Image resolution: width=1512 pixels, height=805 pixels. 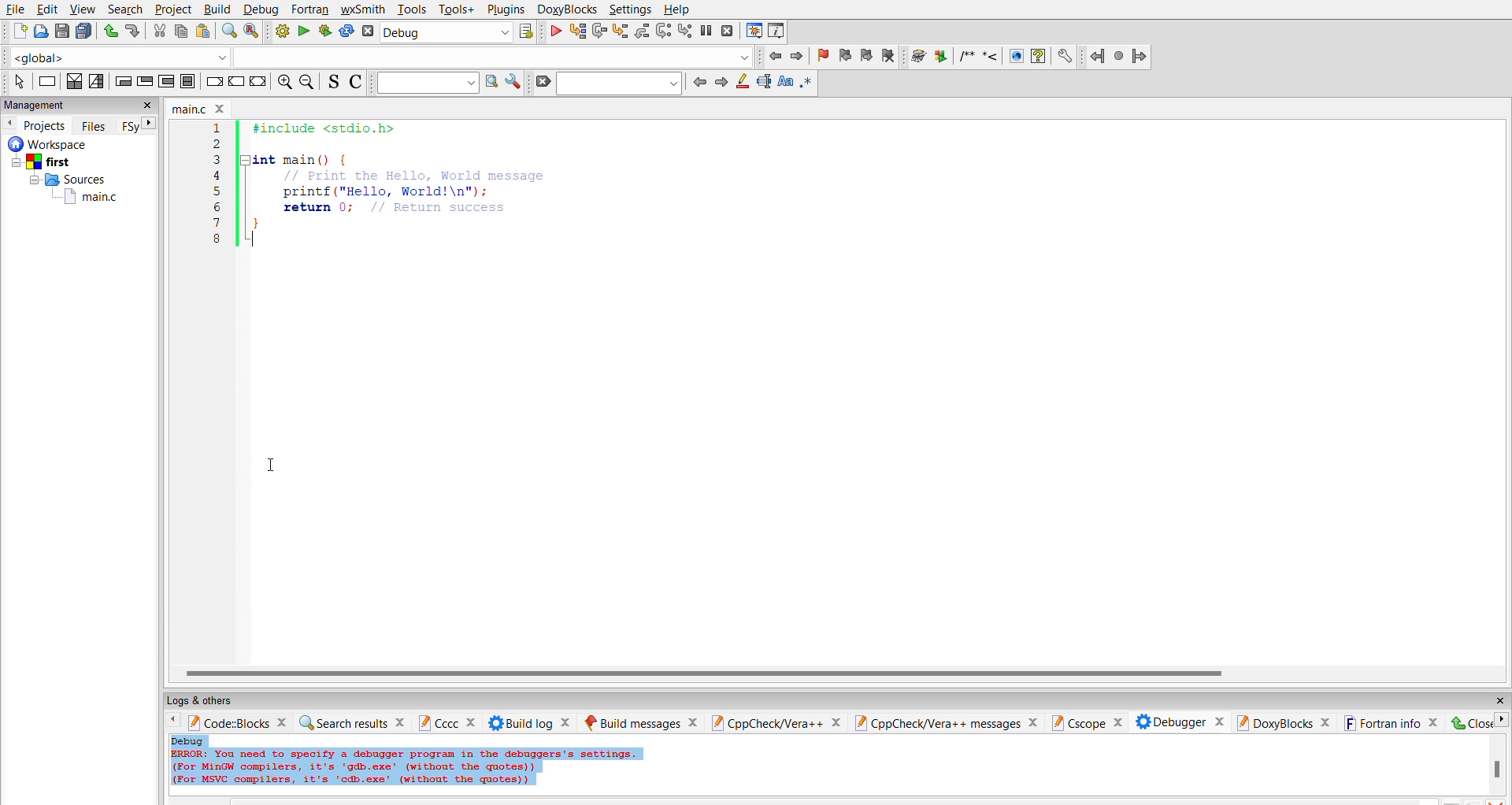 I want to click on build messages, so click(x=639, y=719).